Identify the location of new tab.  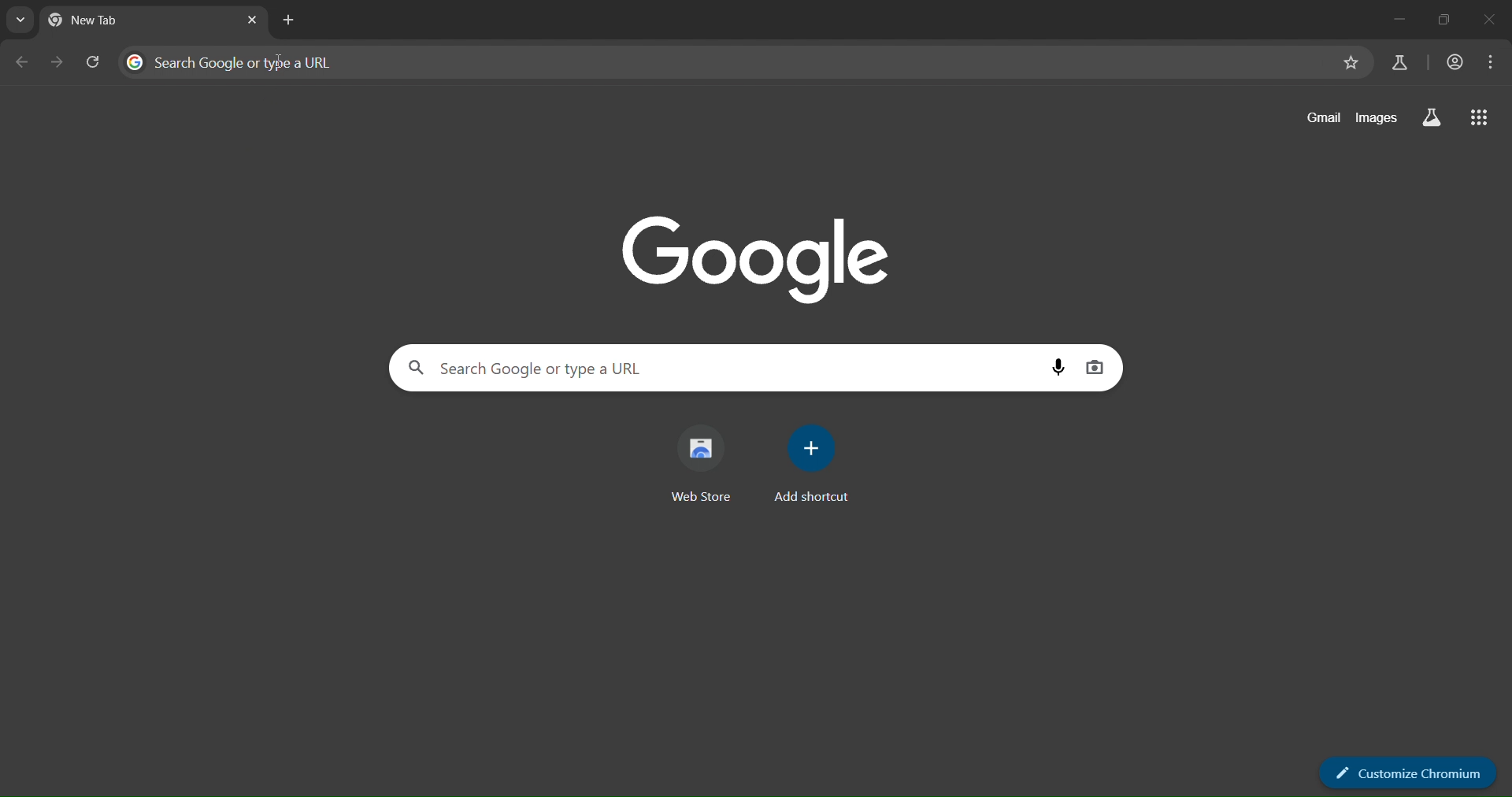
(290, 20).